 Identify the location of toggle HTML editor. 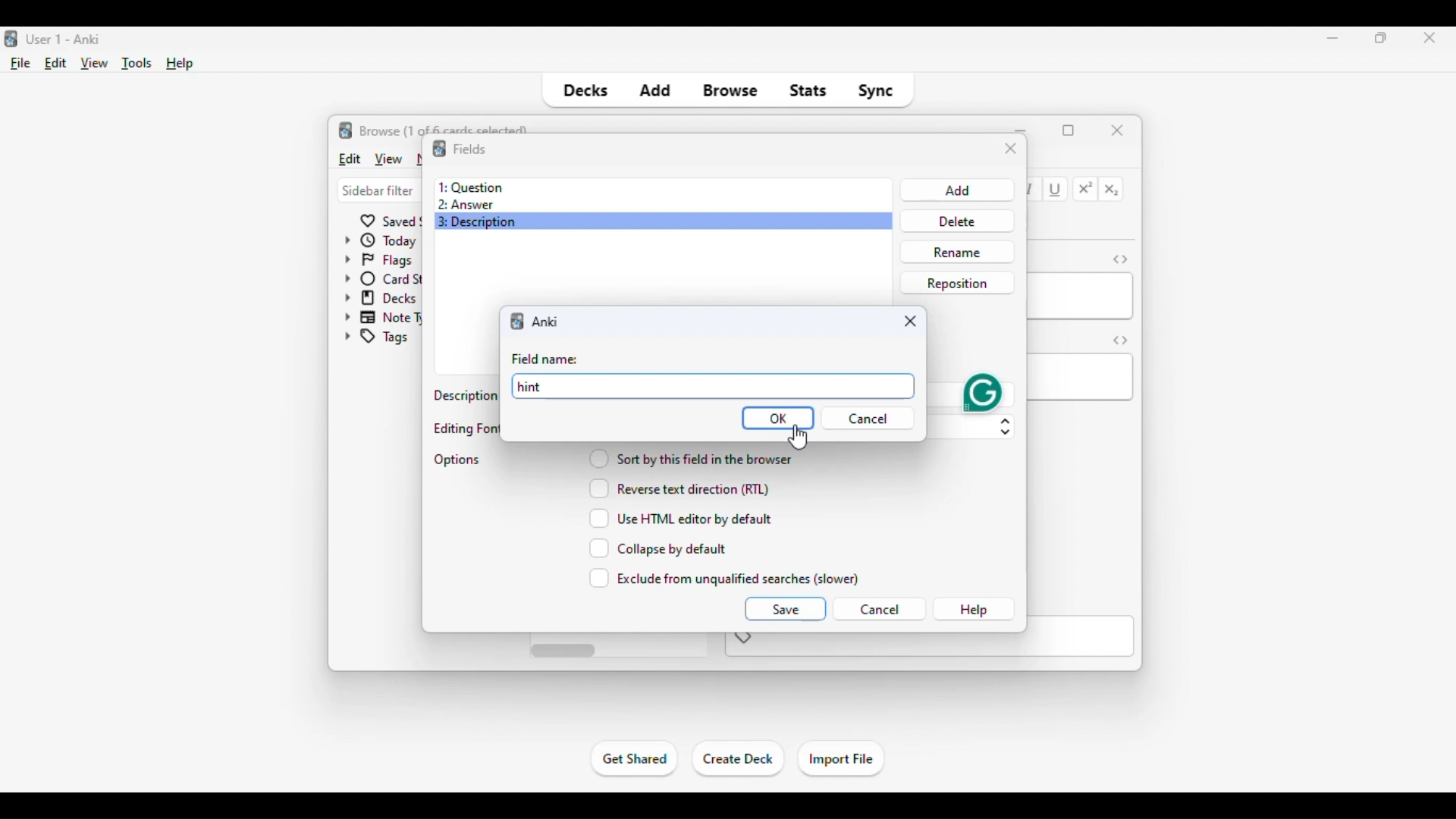
(1121, 340).